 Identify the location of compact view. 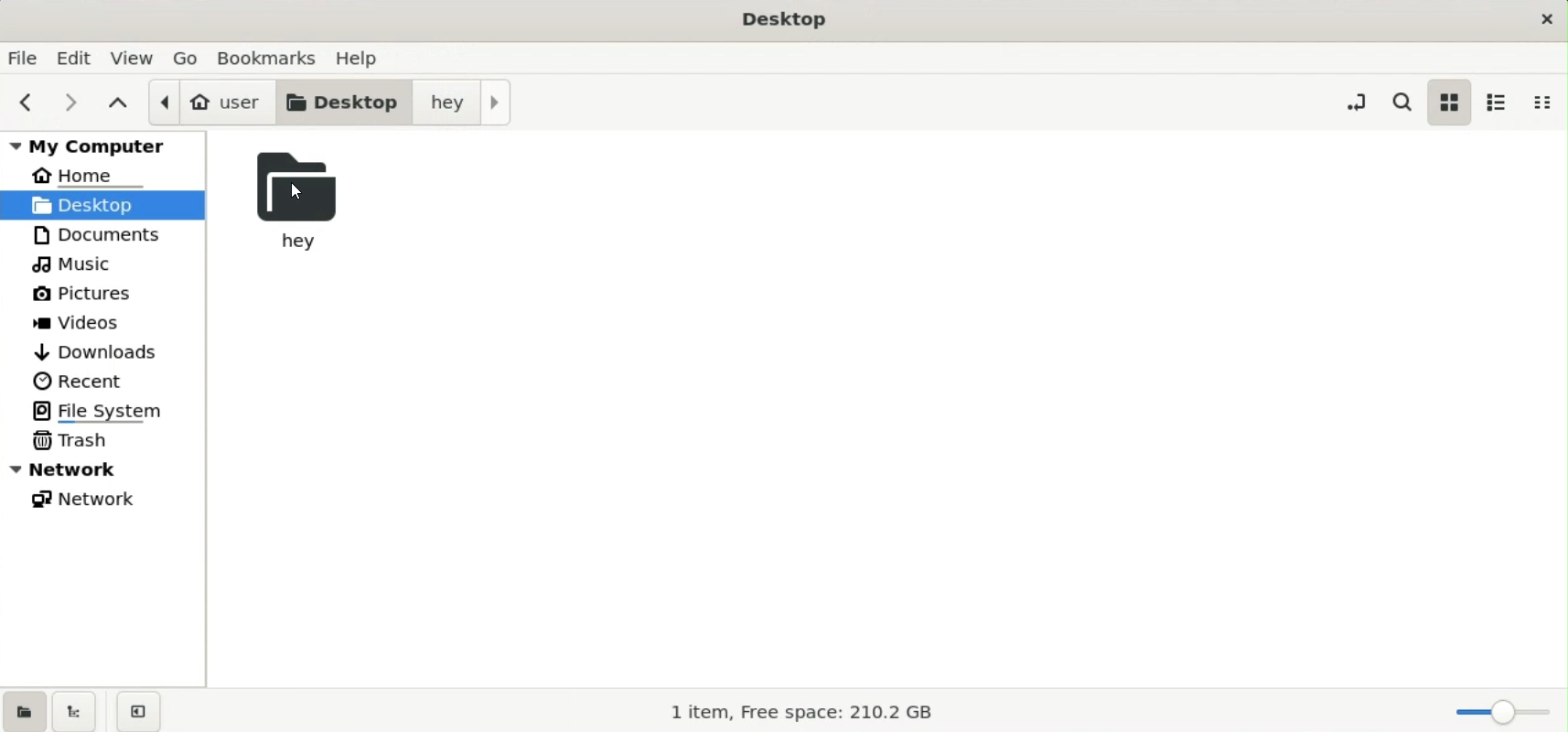
(1548, 102).